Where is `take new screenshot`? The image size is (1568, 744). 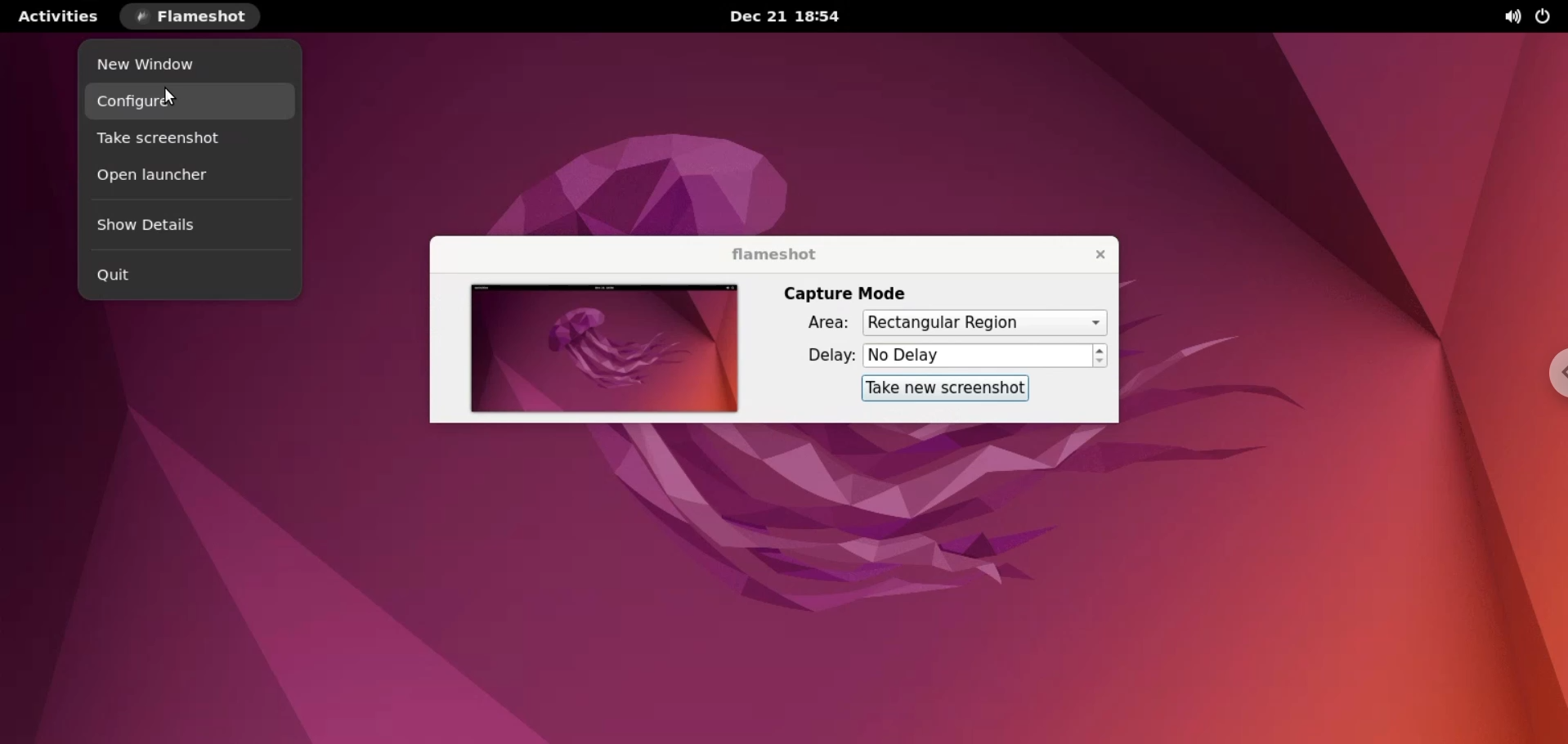 take new screenshot is located at coordinates (943, 388).